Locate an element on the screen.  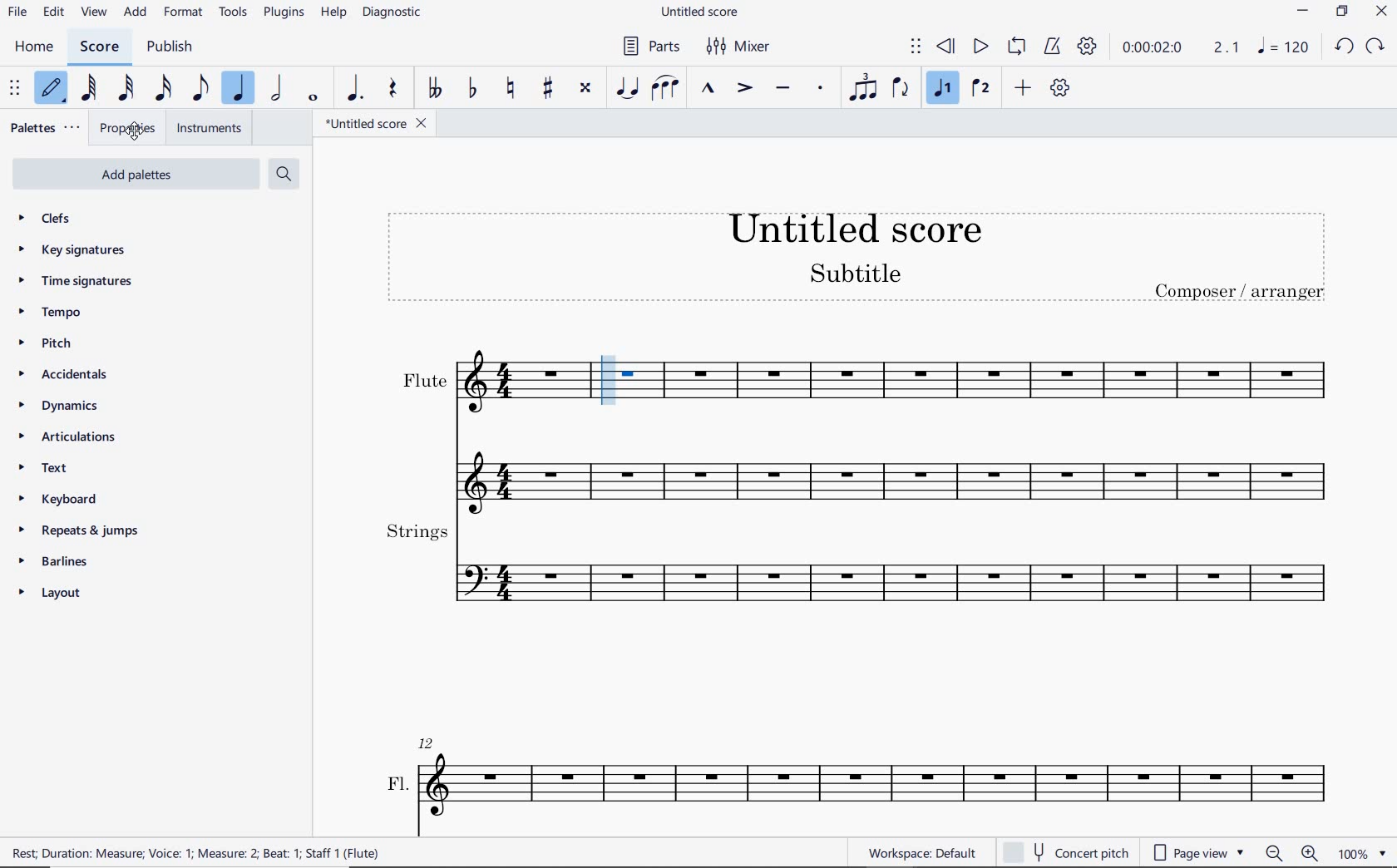
FORMAT is located at coordinates (185, 11).